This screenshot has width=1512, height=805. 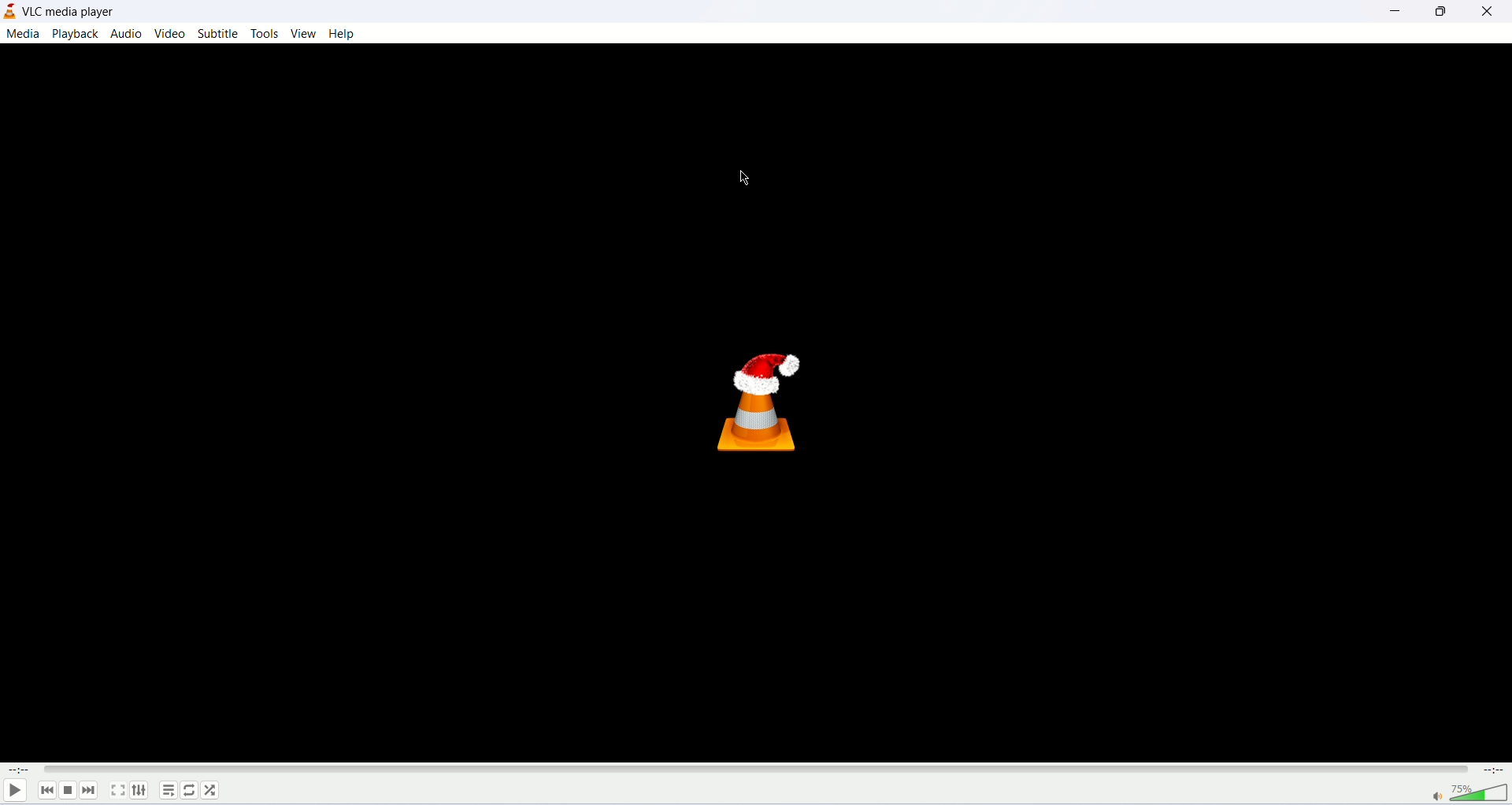 I want to click on previous, so click(x=49, y=792).